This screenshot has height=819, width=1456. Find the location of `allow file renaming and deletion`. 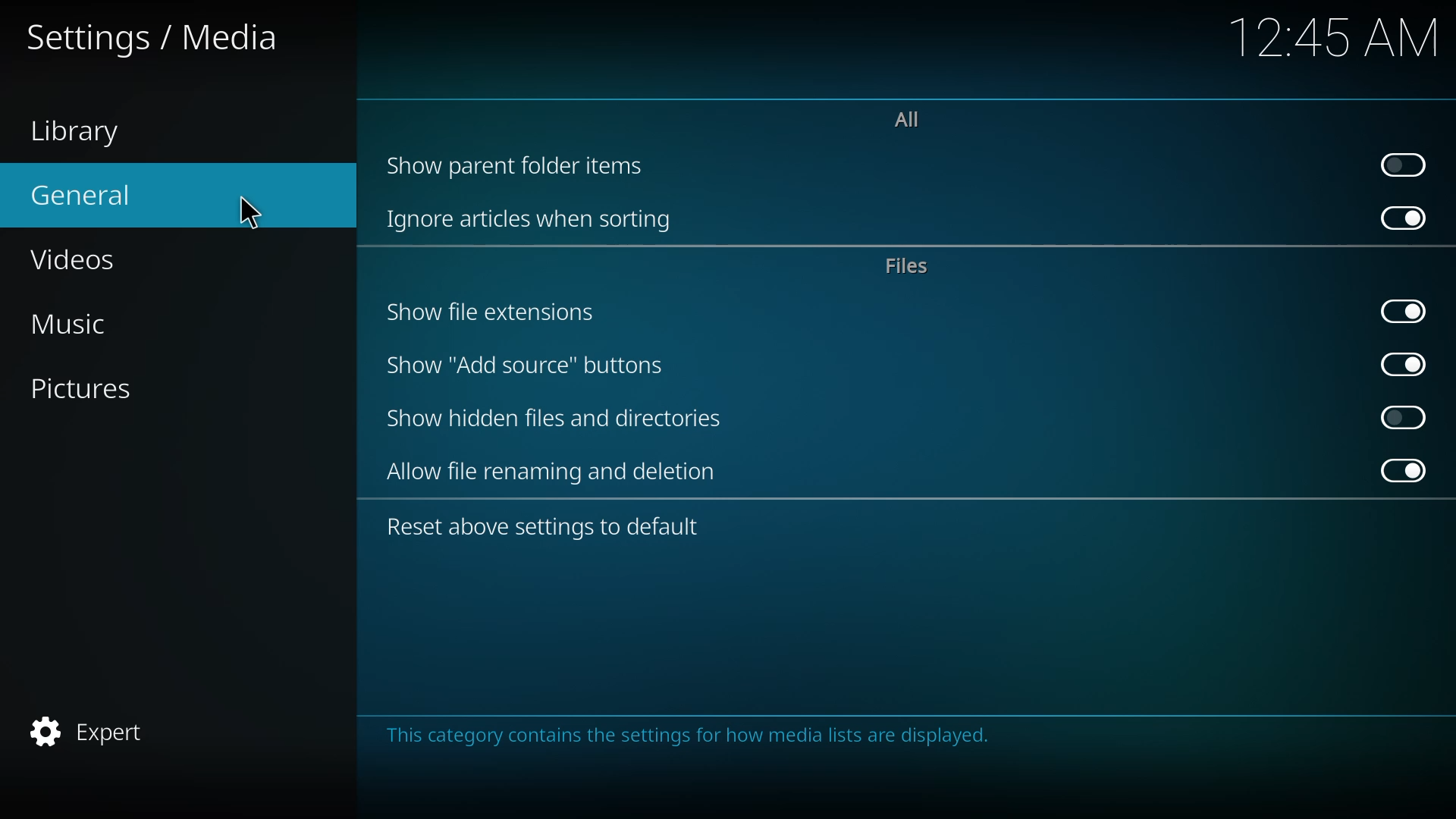

allow file renaming and deletion is located at coordinates (556, 472).